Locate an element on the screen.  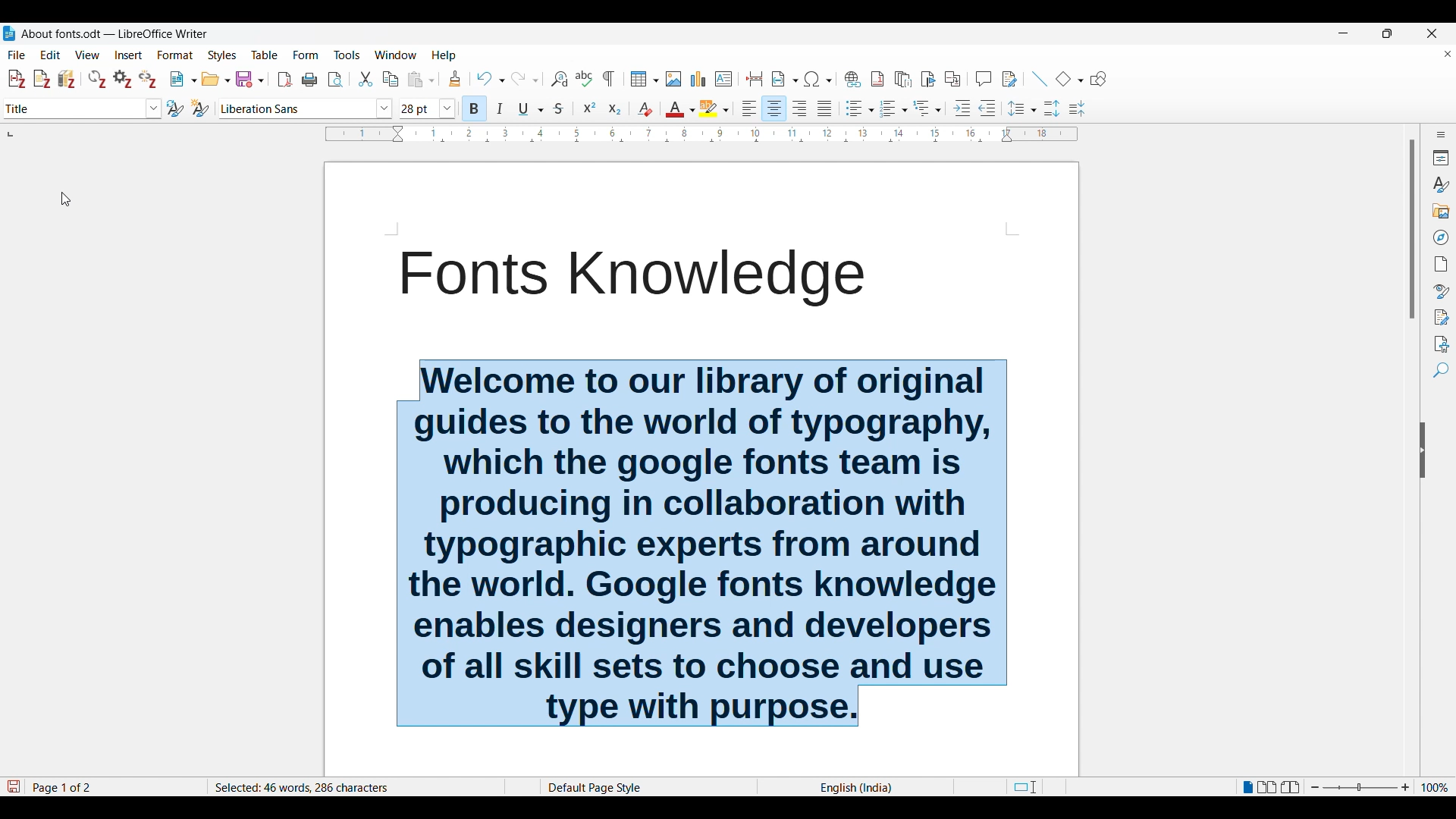
Open is located at coordinates (216, 79).